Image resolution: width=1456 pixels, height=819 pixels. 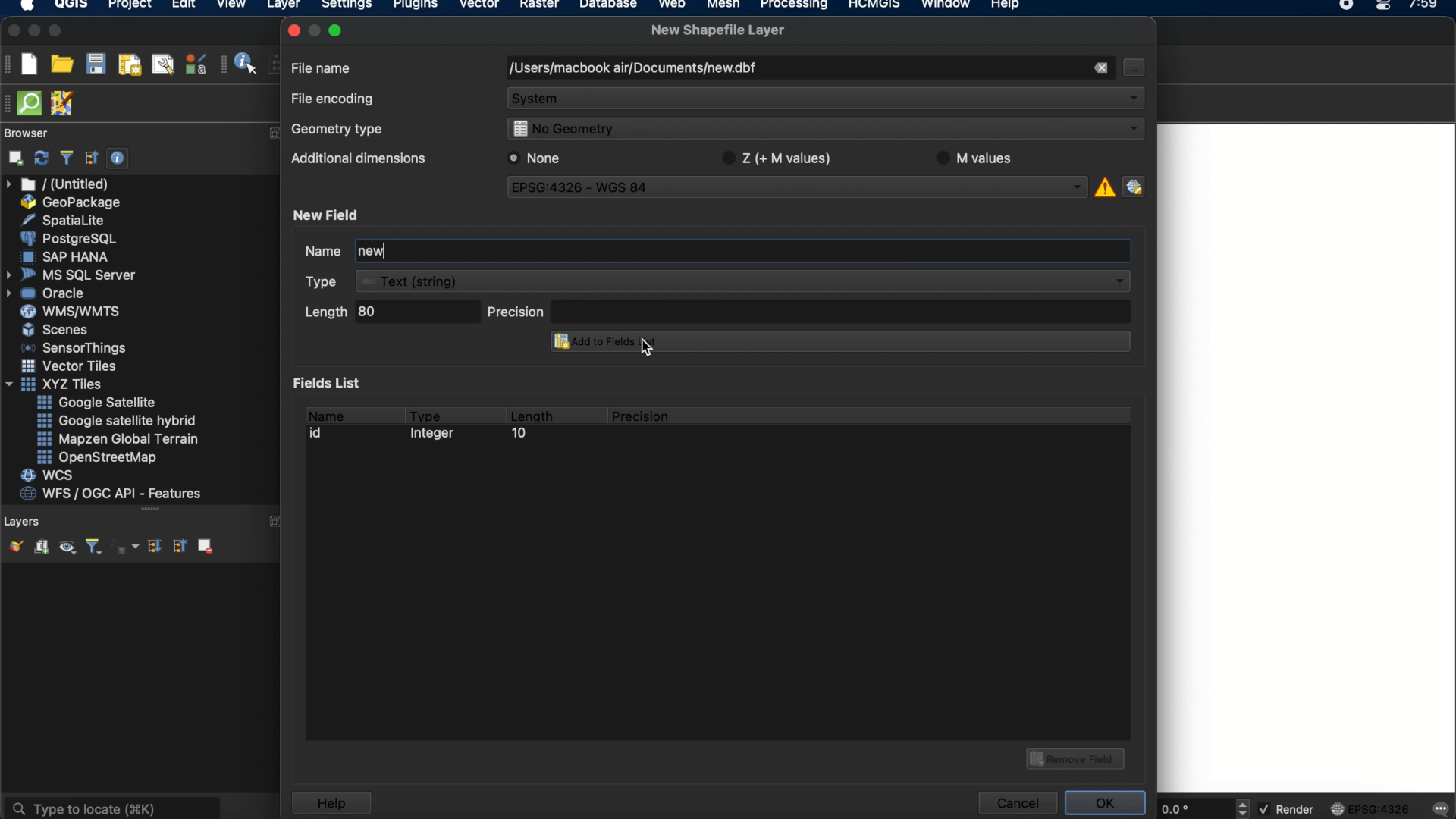 I want to click on control center macOS, so click(x=1382, y=7).